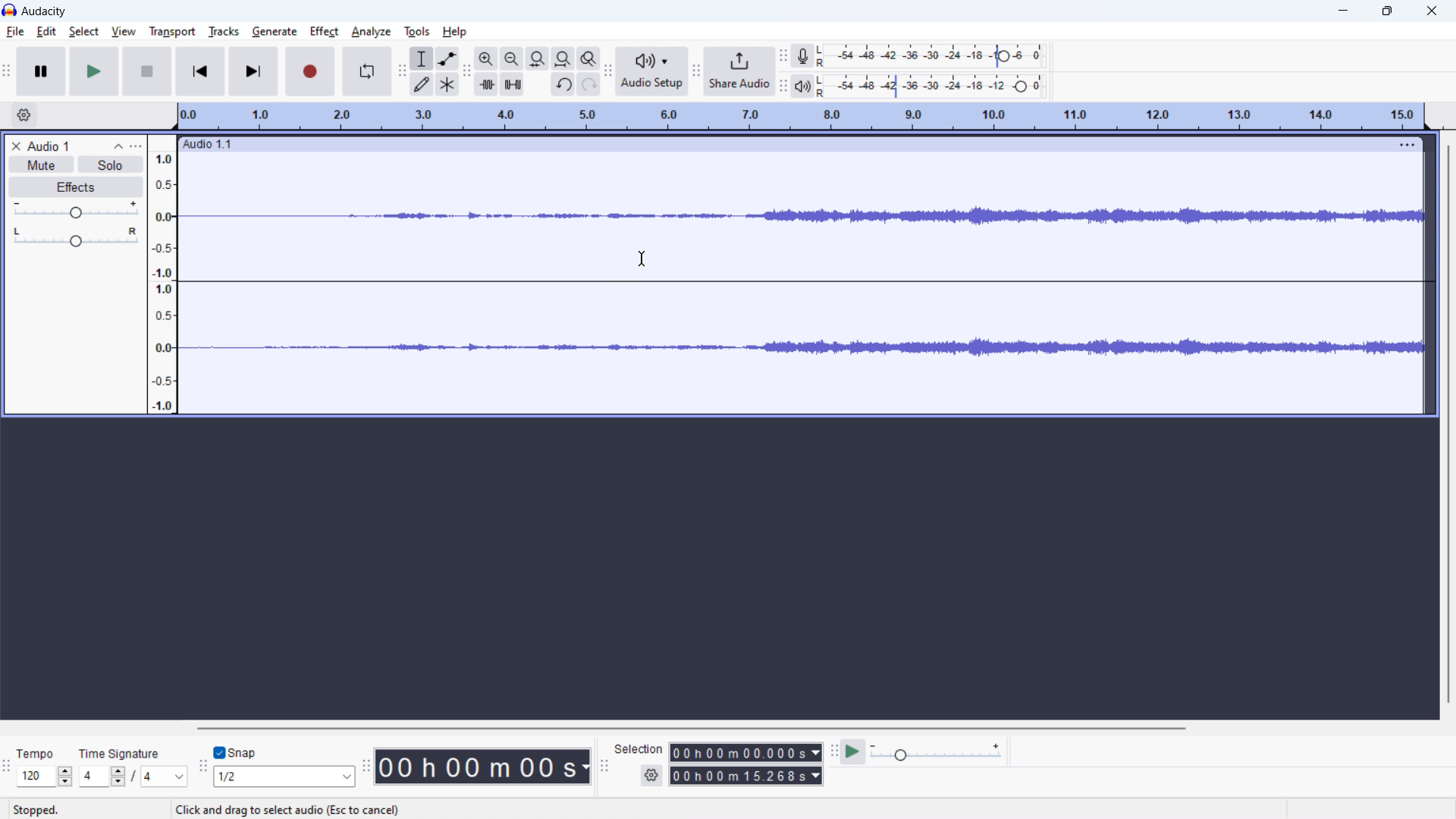  Describe the element at coordinates (324, 32) in the screenshot. I see `effect` at that location.